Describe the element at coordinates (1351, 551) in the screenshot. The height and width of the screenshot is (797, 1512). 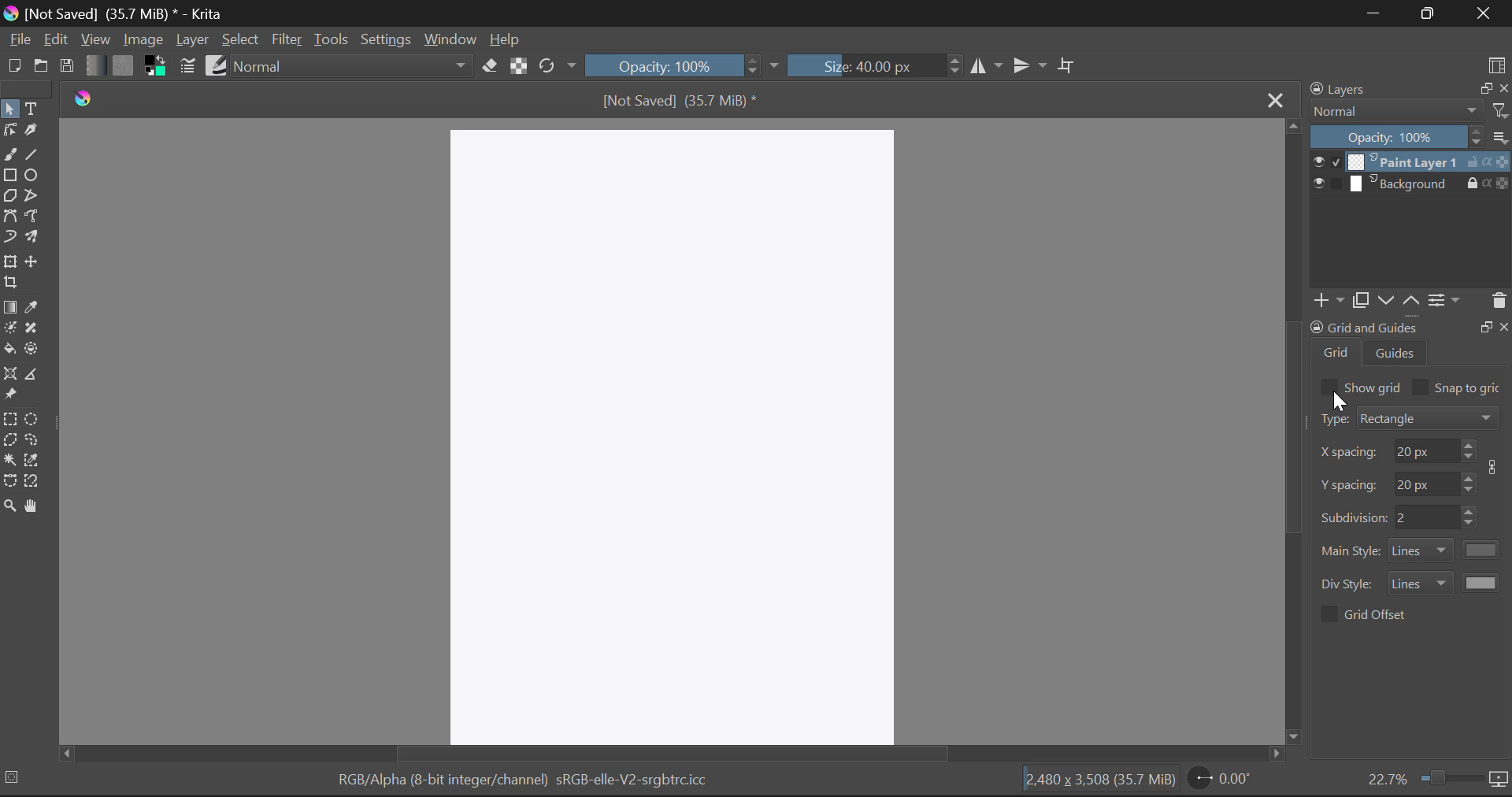
I see `main style` at that location.